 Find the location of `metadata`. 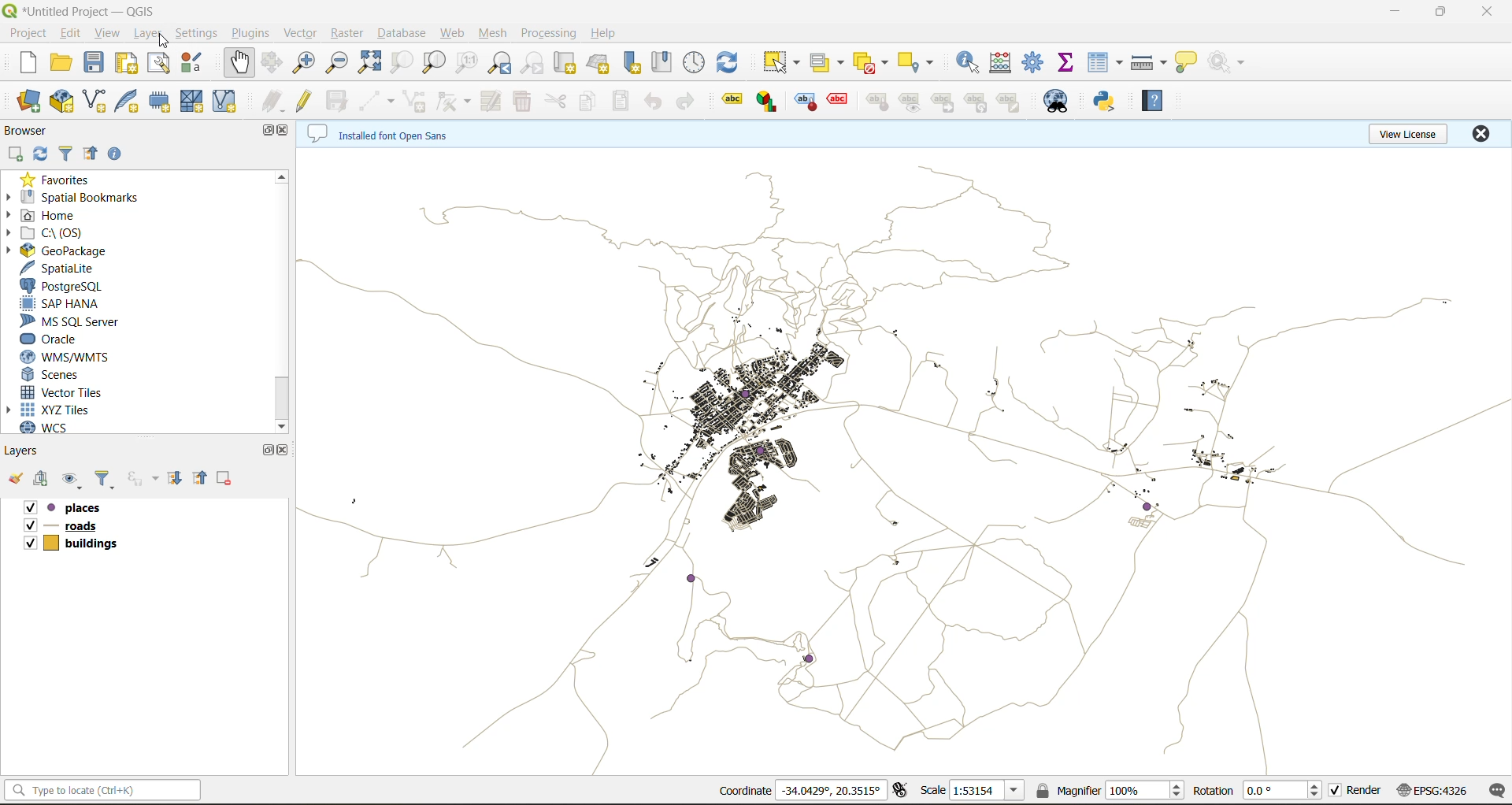

metadata is located at coordinates (384, 135).